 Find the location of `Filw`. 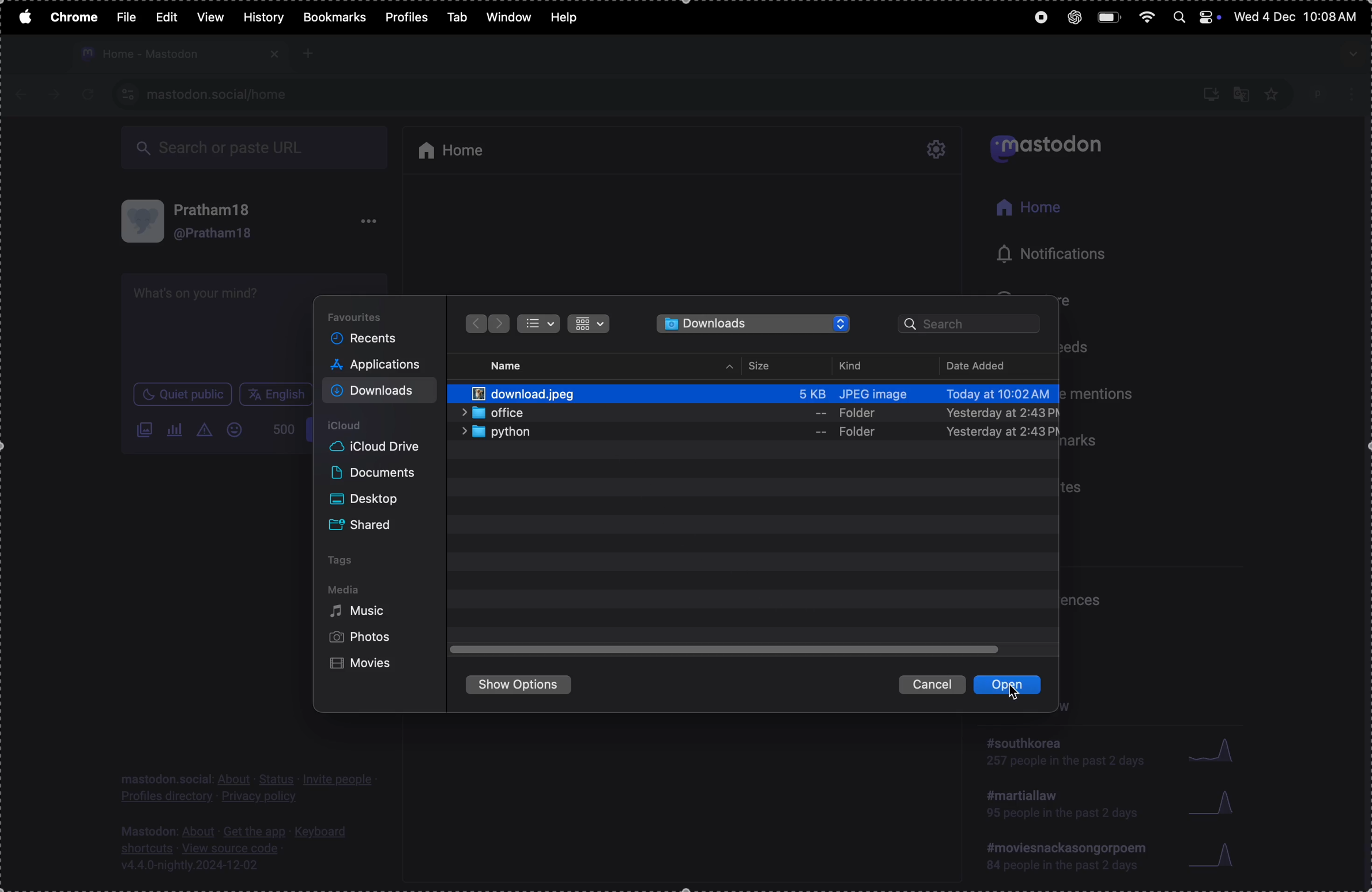

Filw is located at coordinates (126, 16).